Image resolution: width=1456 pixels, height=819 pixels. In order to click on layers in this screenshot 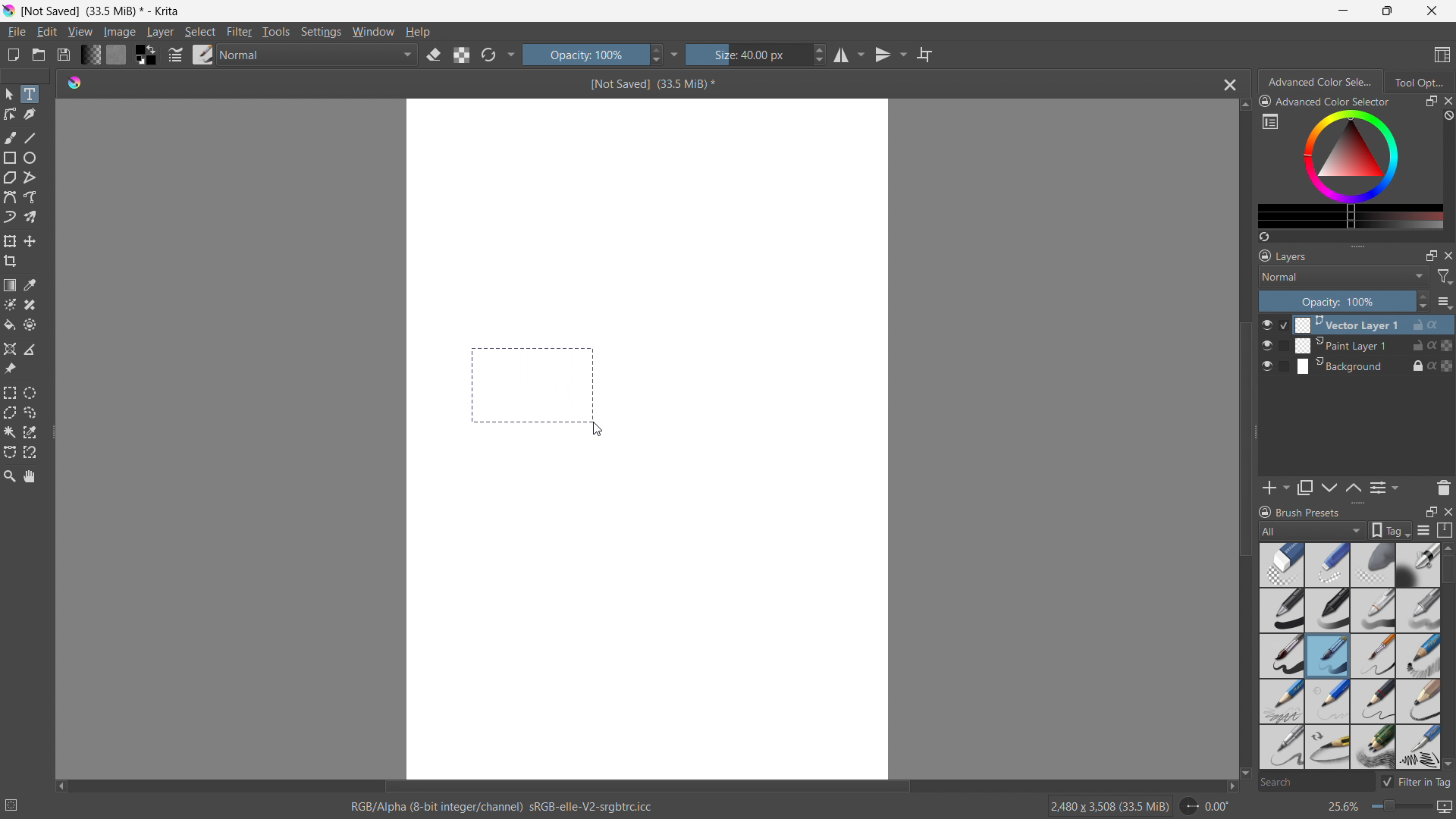, I will do `click(1283, 255)`.